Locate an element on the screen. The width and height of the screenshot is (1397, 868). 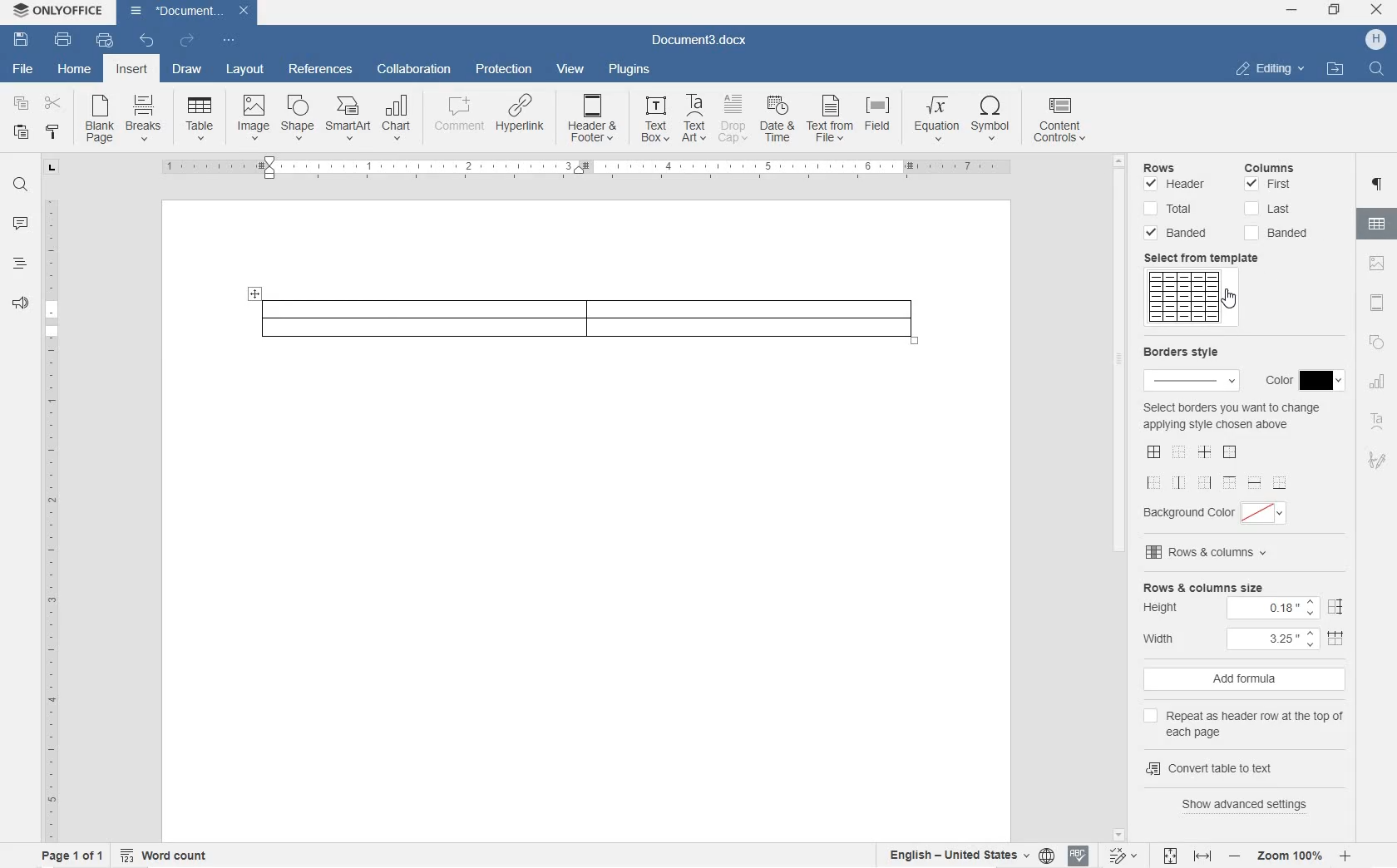
table settings is located at coordinates (1379, 226).